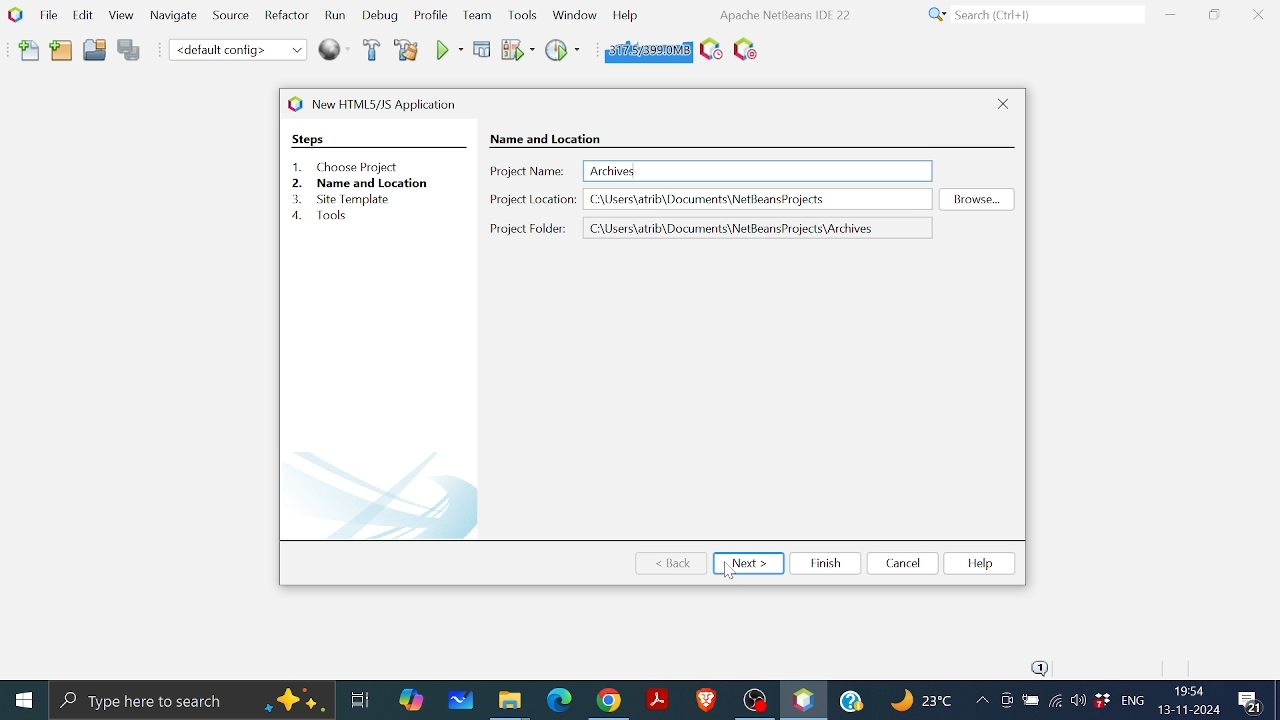 This screenshot has width=1280, height=720. Describe the element at coordinates (23, 701) in the screenshot. I see `Start` at that location.